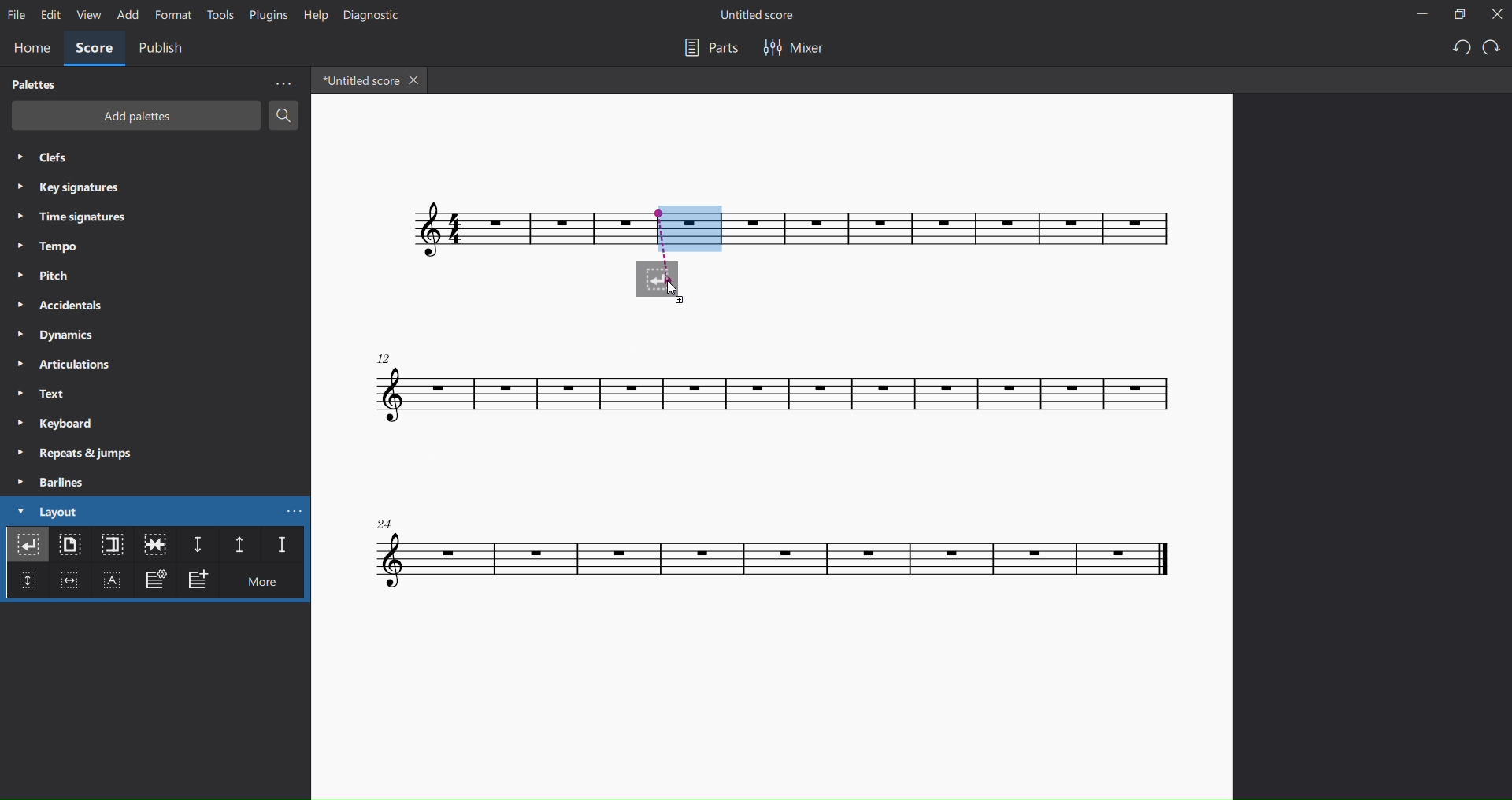 The width and height of the screenshot is (1512, 800). Describe the element at coordinates (282, 83) in the screenshot. I see `more` at that location.